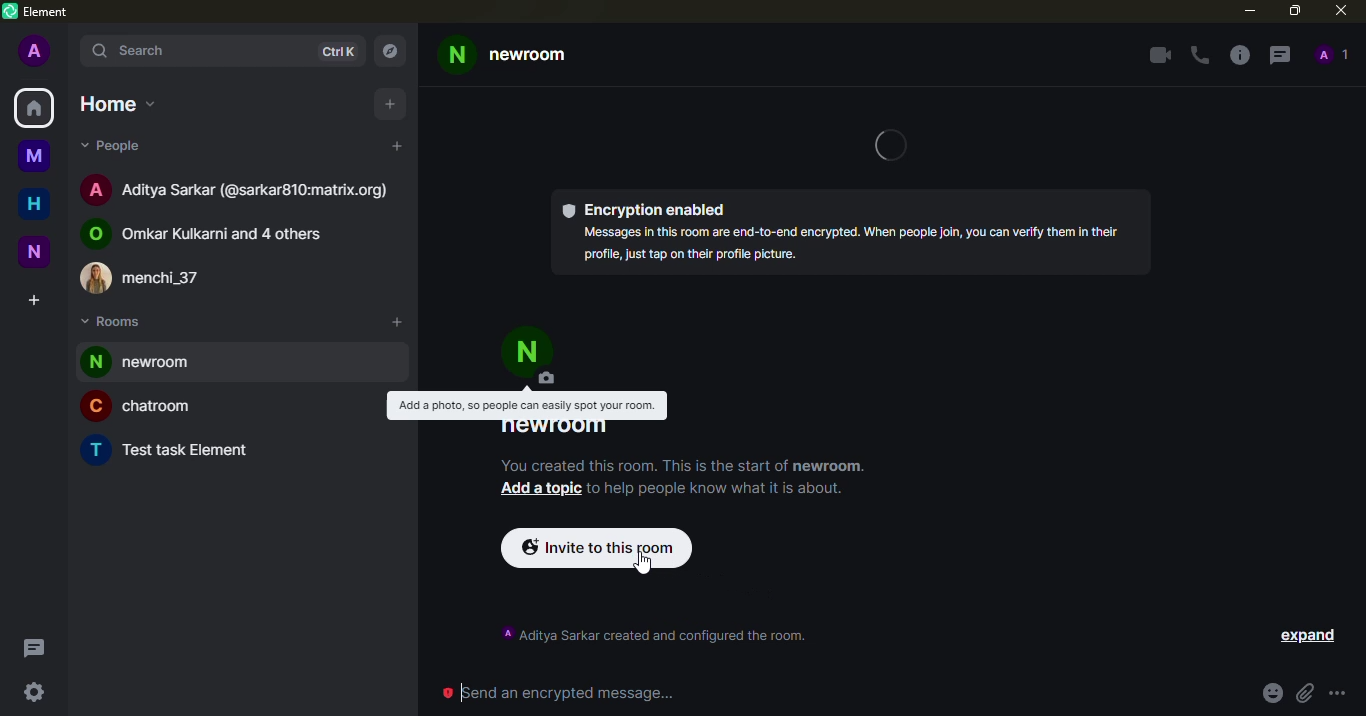 The image size is (1366, 716). Describe the element at coordinates (394, 46) in the screenshot. I see `navigator` at that location.